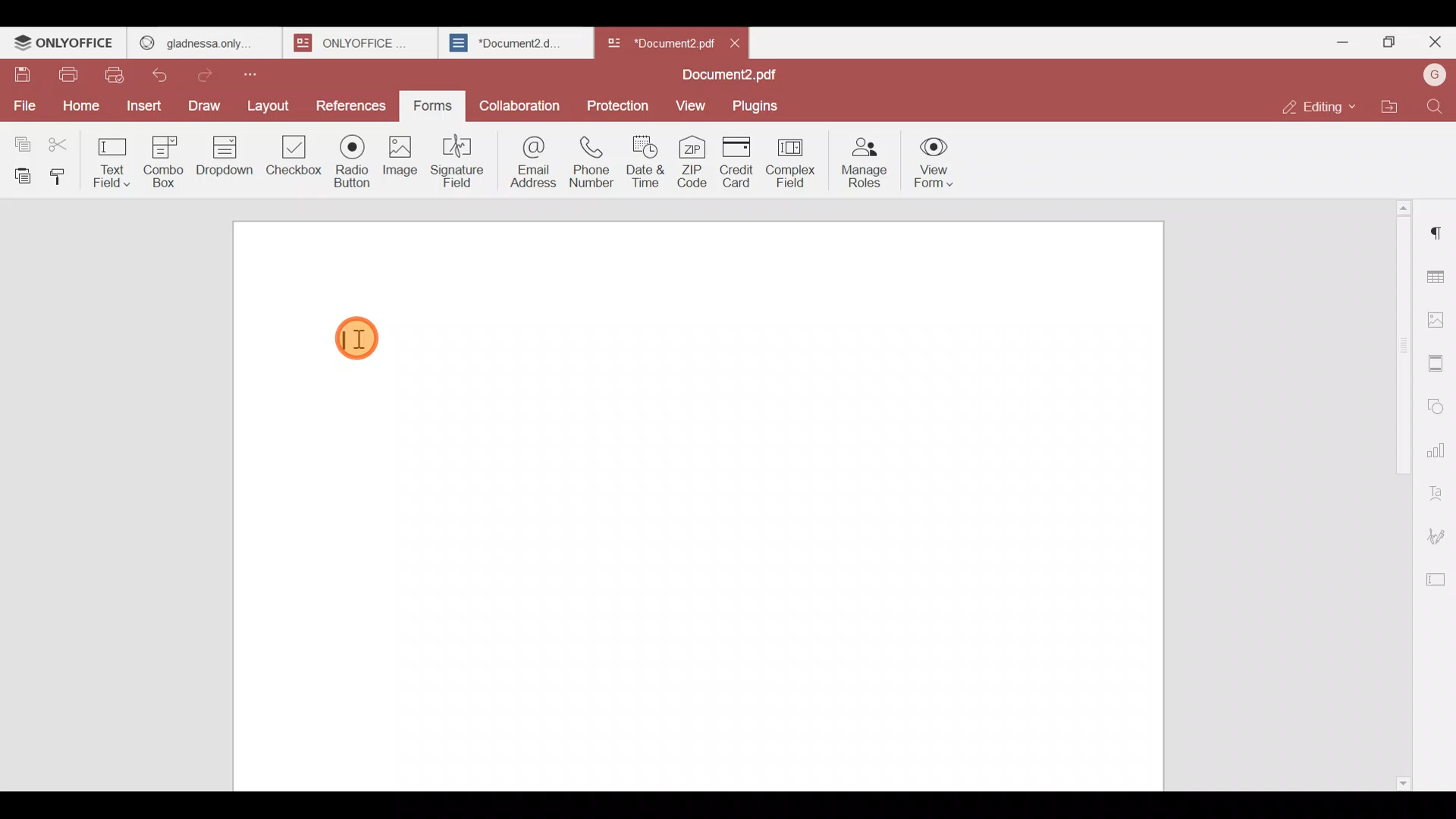  What do you see at coordinates (736, 42) in the screenshot?
I see `Close` at bounding box center [736, 42].